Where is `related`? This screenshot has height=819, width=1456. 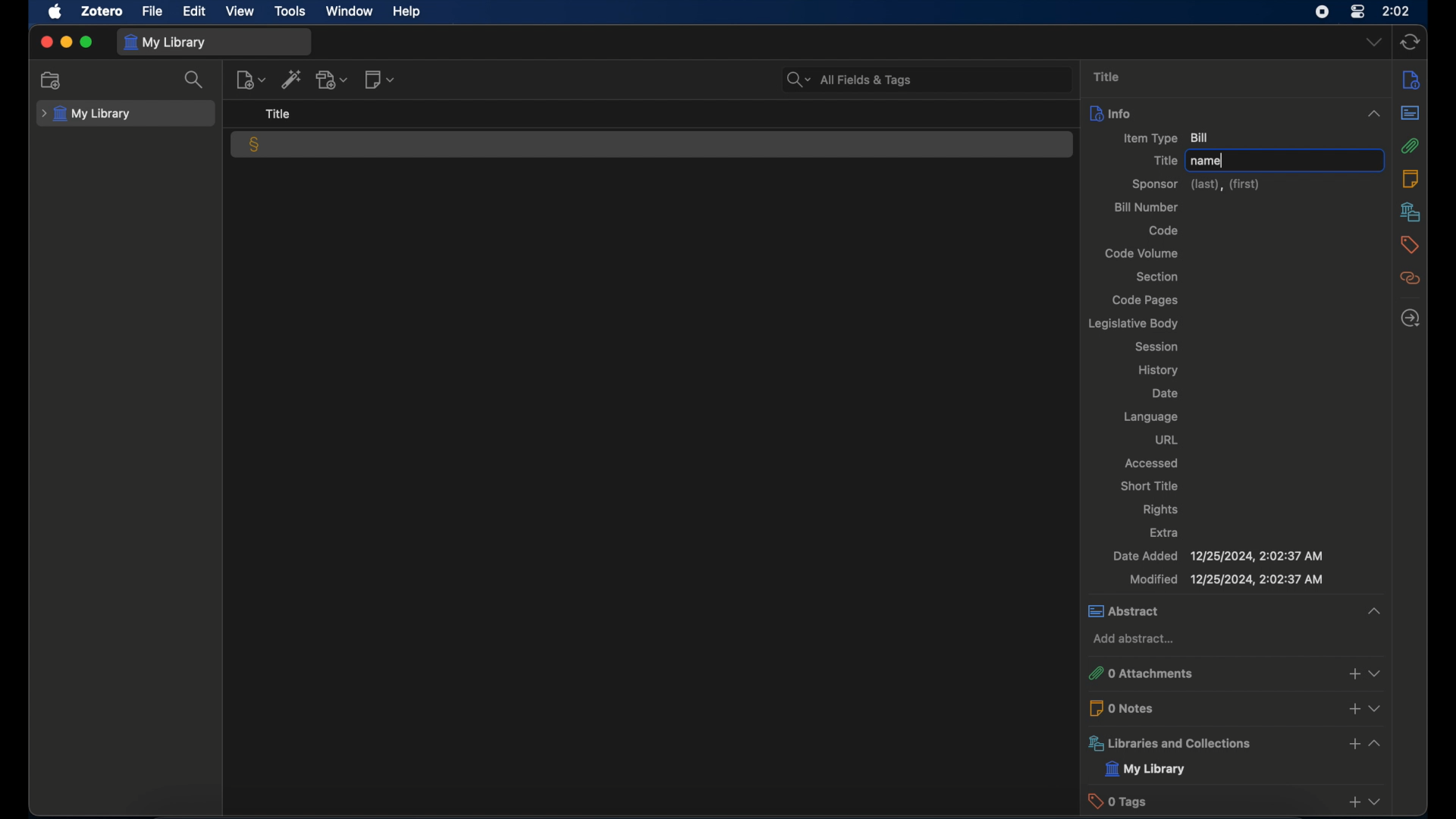
related is located at coordinates (1409, 278).